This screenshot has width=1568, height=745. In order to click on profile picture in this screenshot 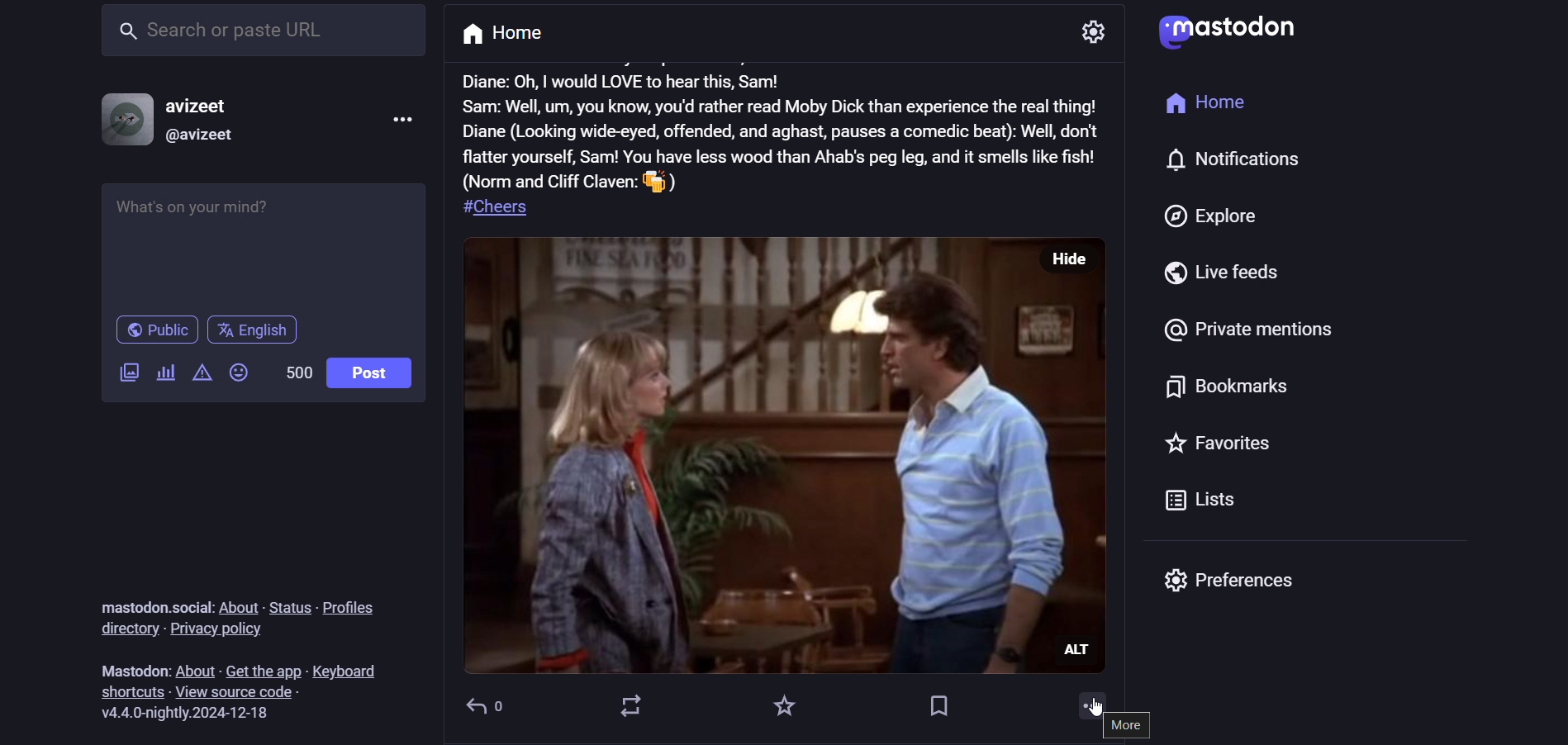, I will do `click(121, 120)`.